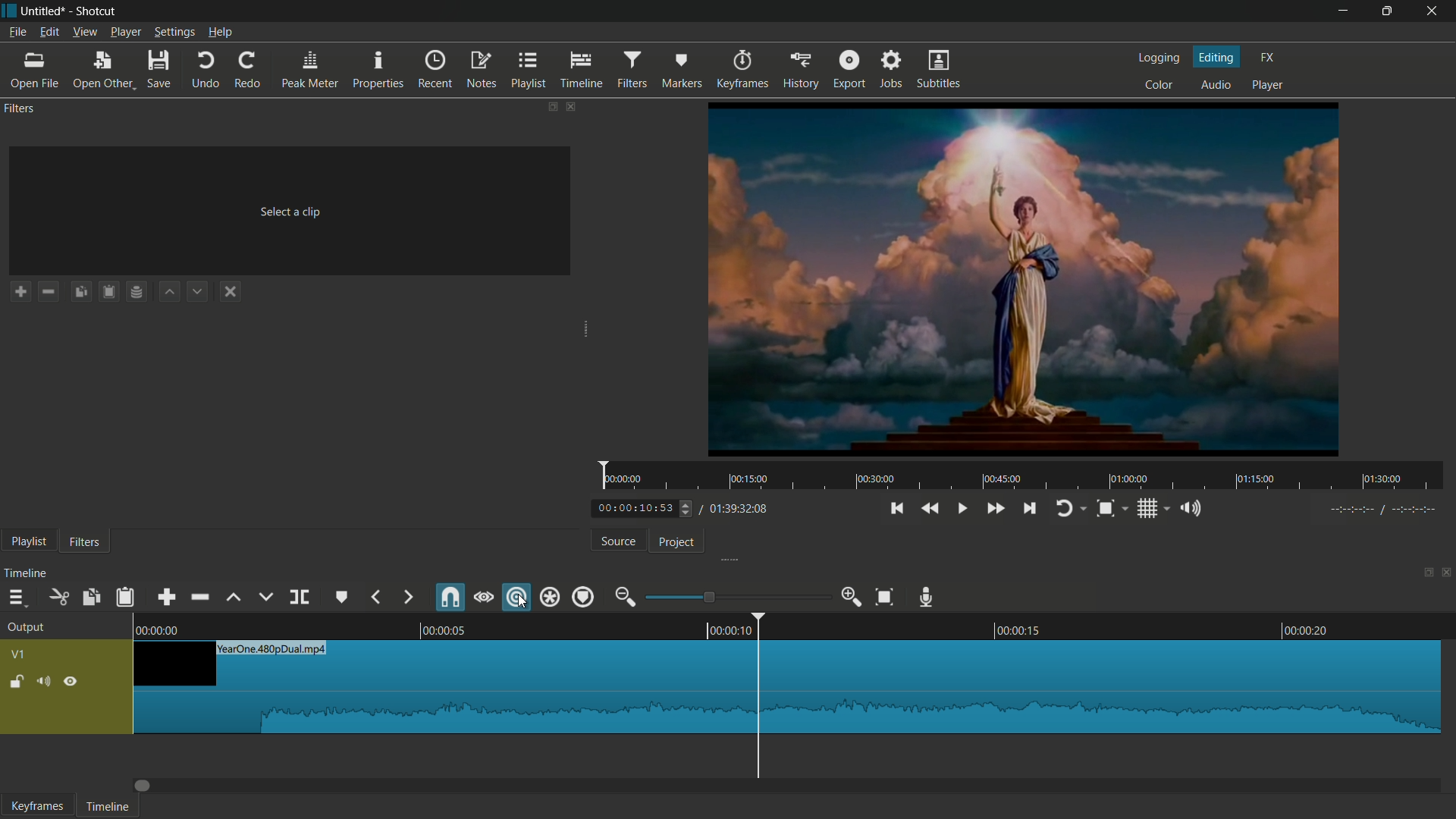 The image size is (1456, 819). Describe the element at coordinates (97, 11) in the screenshot. I see `app name` at that location.